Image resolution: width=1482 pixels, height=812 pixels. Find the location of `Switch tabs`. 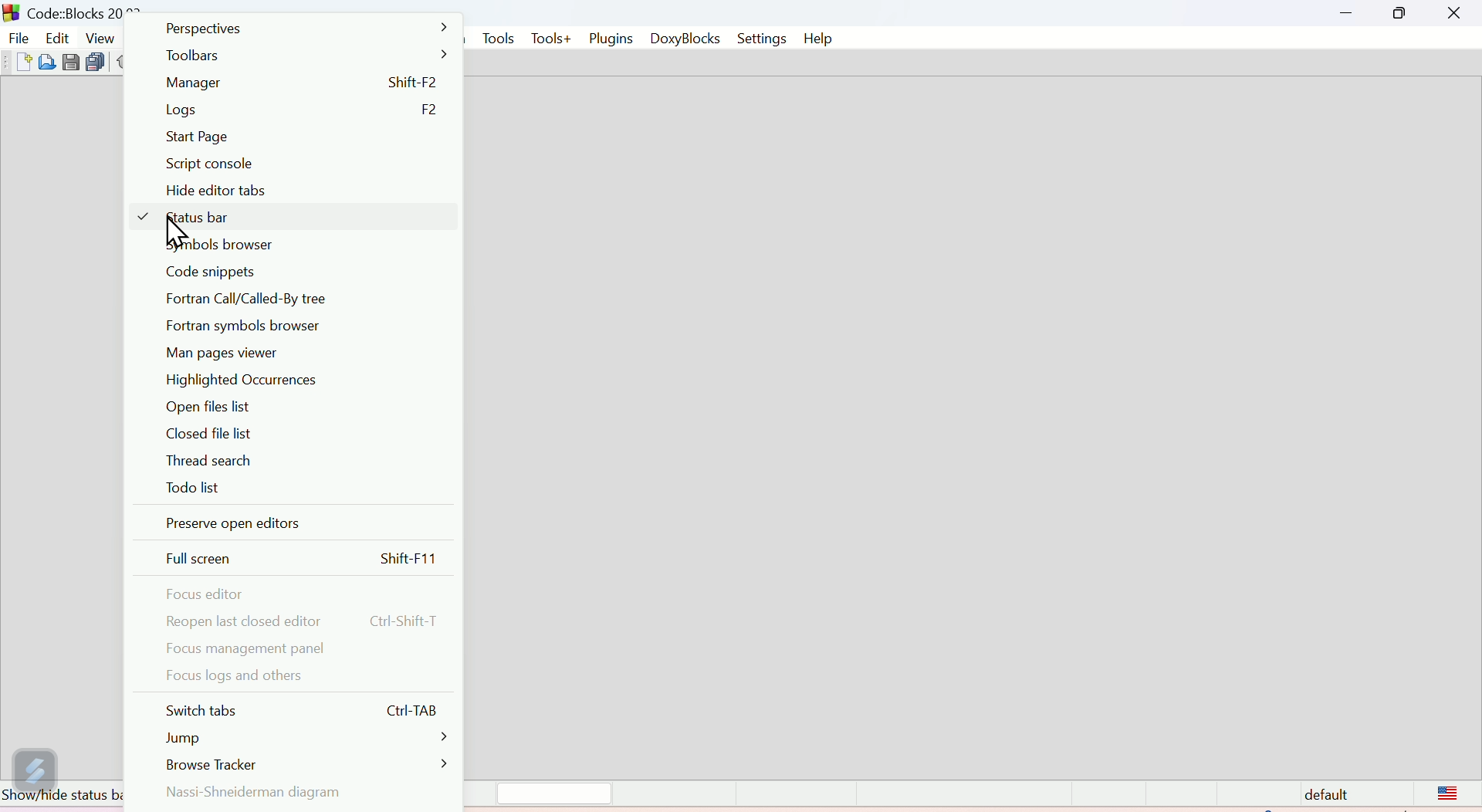

Switch tabs is located at coordinates (304, 713).